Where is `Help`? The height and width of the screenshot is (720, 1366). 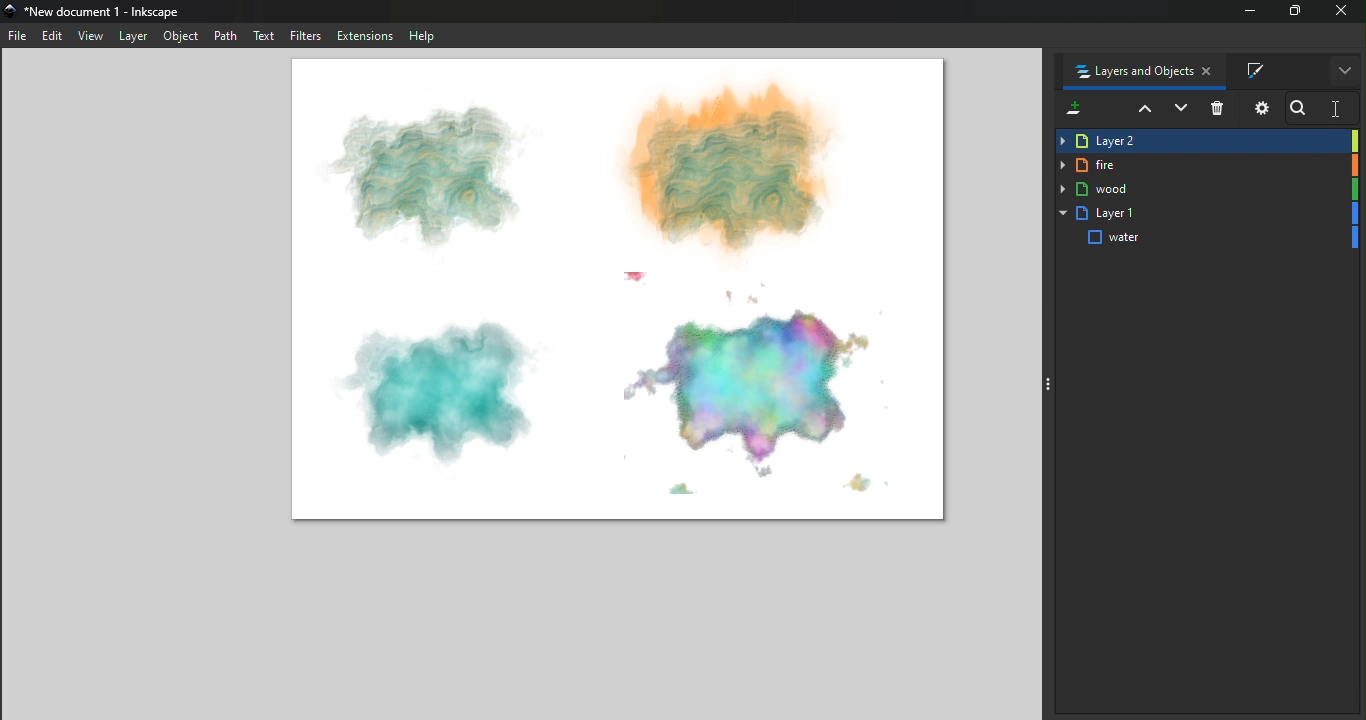
Help is located at coordinates (422, 35).